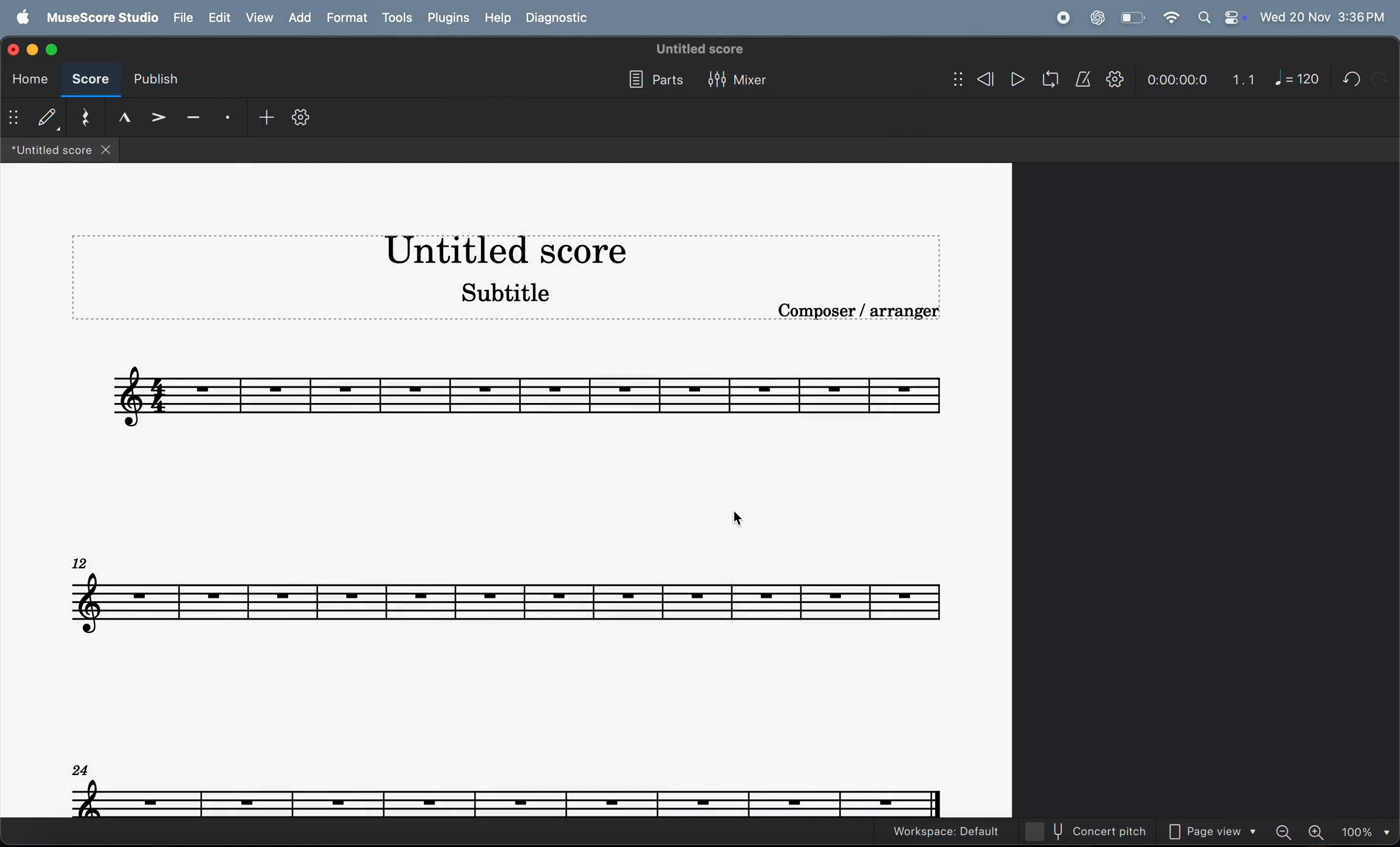  I want to click on edit, so click(218, 18).